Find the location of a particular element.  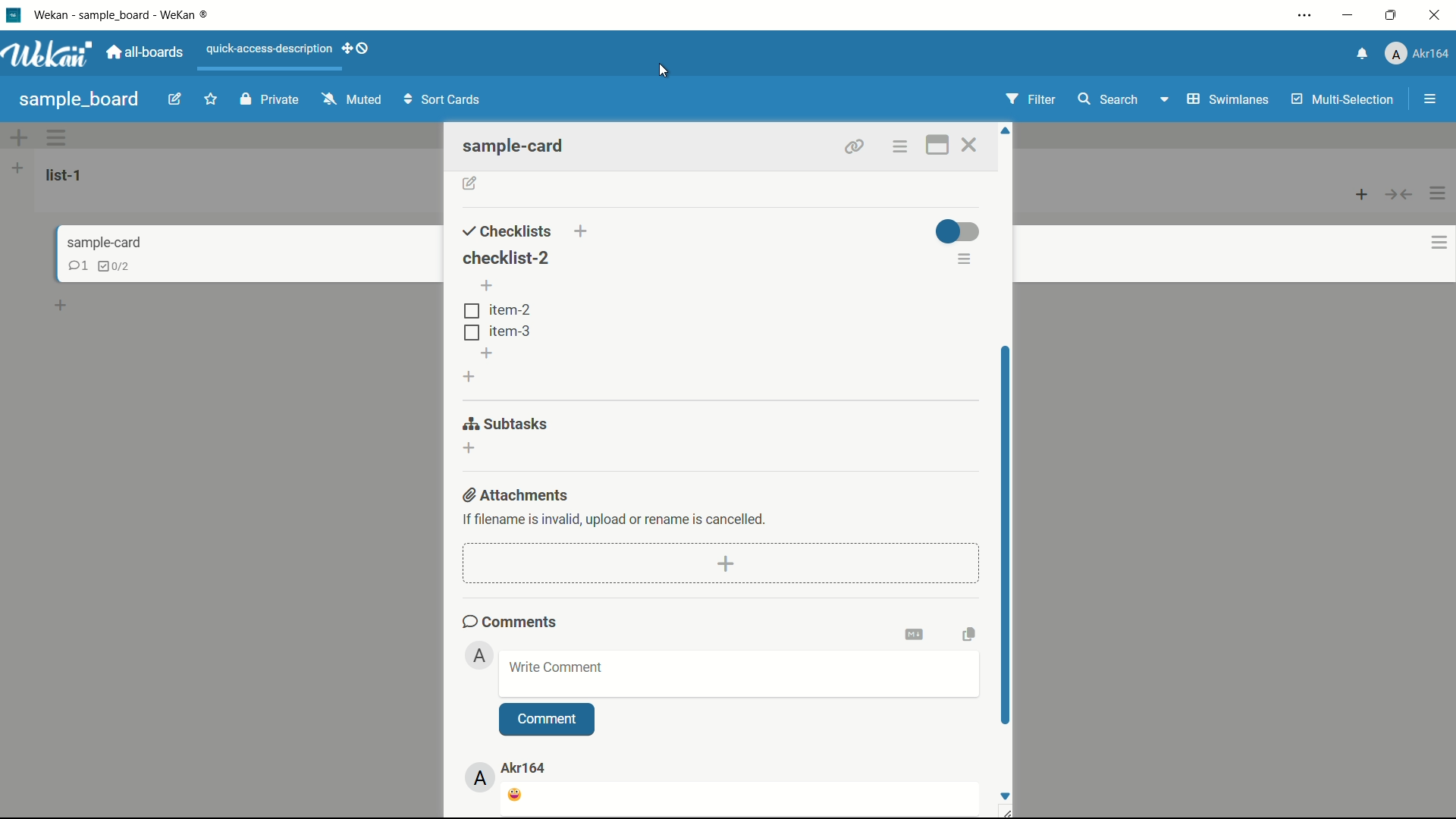

edit is located at coordinates (177, 101).